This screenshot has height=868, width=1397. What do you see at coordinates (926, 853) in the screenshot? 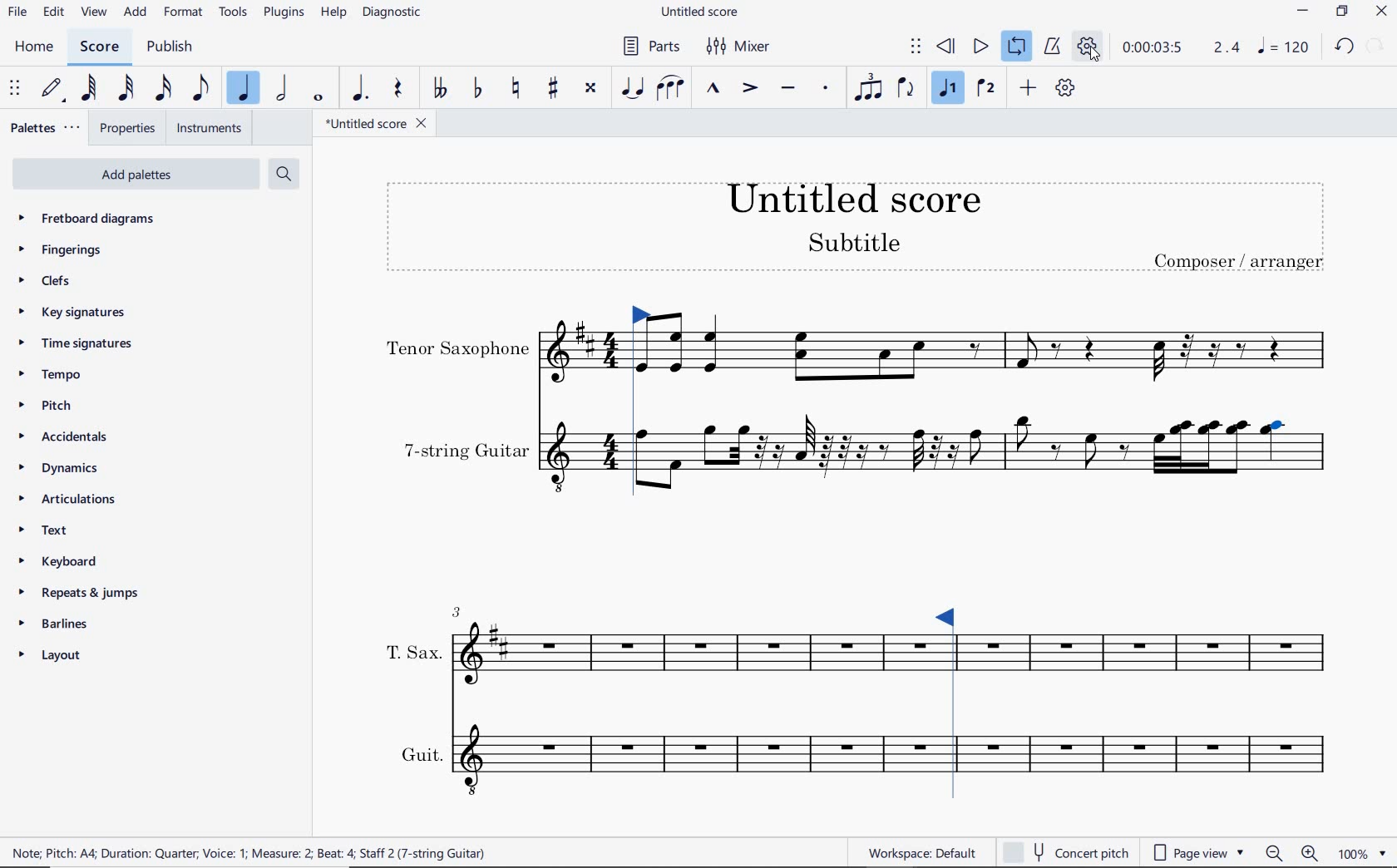
I see `workspace default` at bounding box center [926, 853].